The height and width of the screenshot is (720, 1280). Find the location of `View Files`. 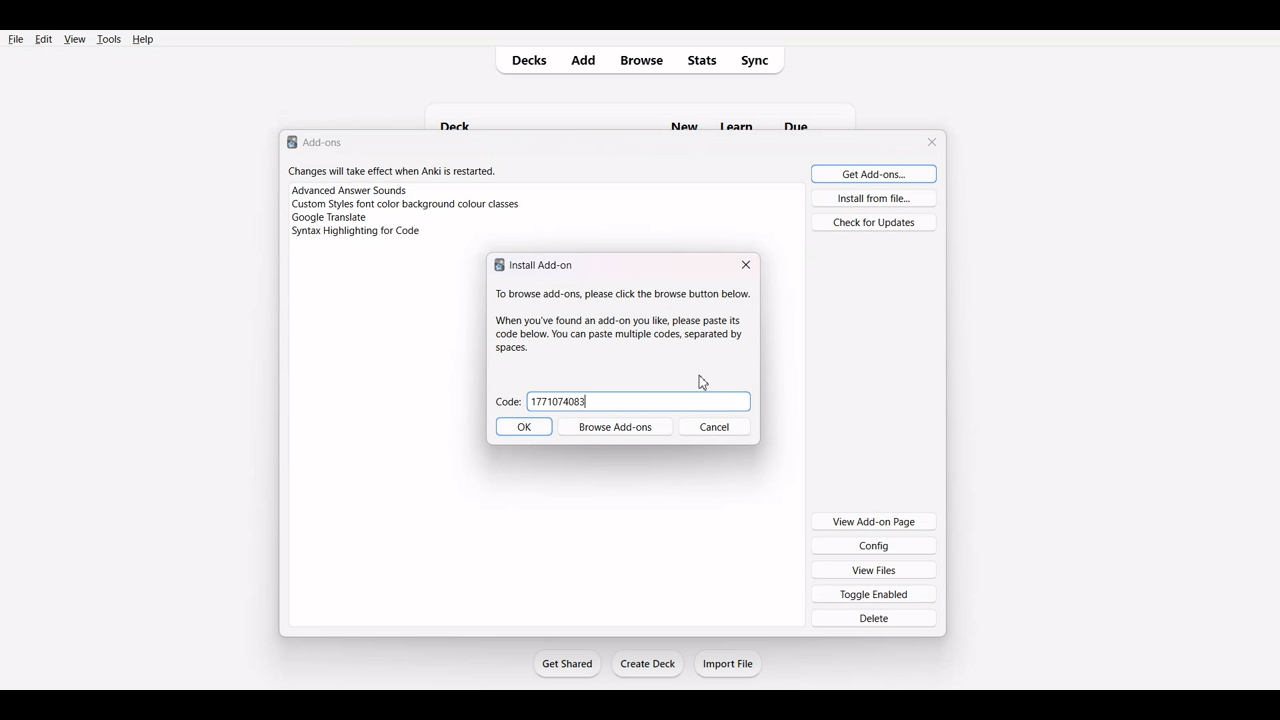

View Files is located at coordinates (875, 569).